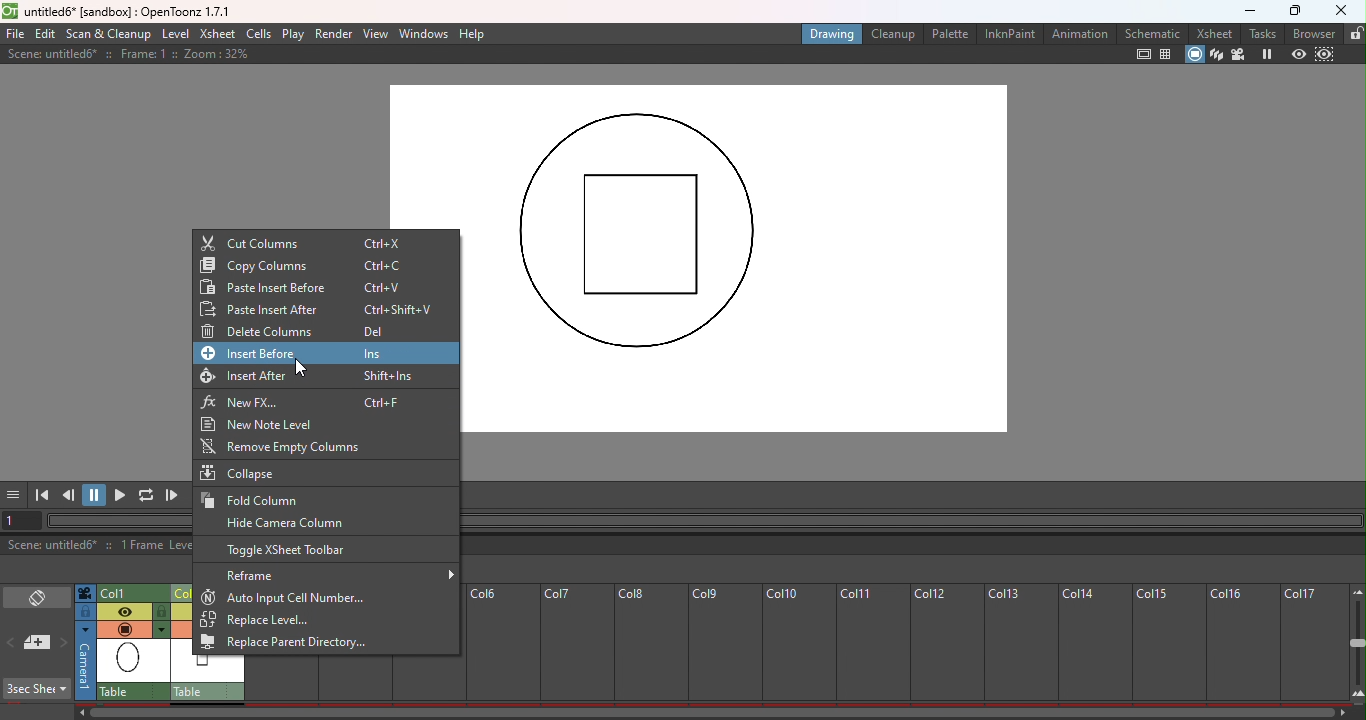 Image resolution: width=1366 pixels, height=720 pixels. Describe the element at coordinates (473, 34) in the screenshot. I see `Help` at that location.